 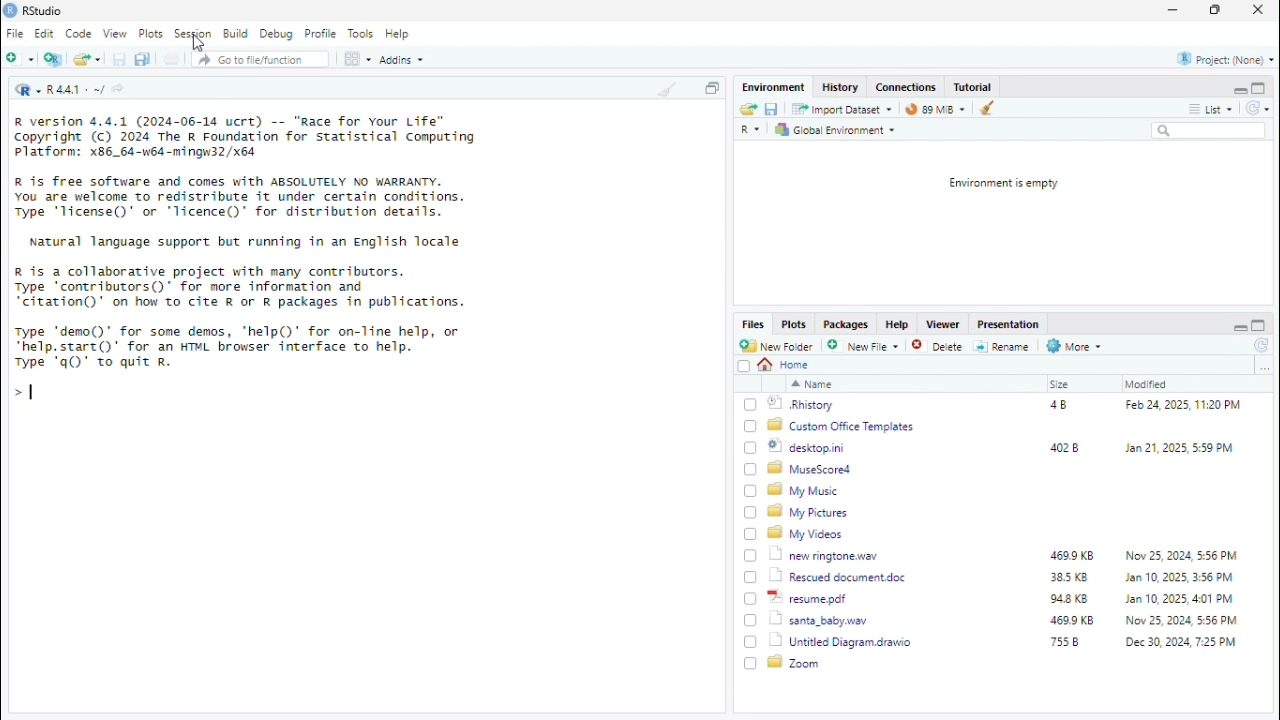 What do you see at coordinates (261, 59) in the screenshot?
I see `Go to file/function` at bounding box center [261, 59].